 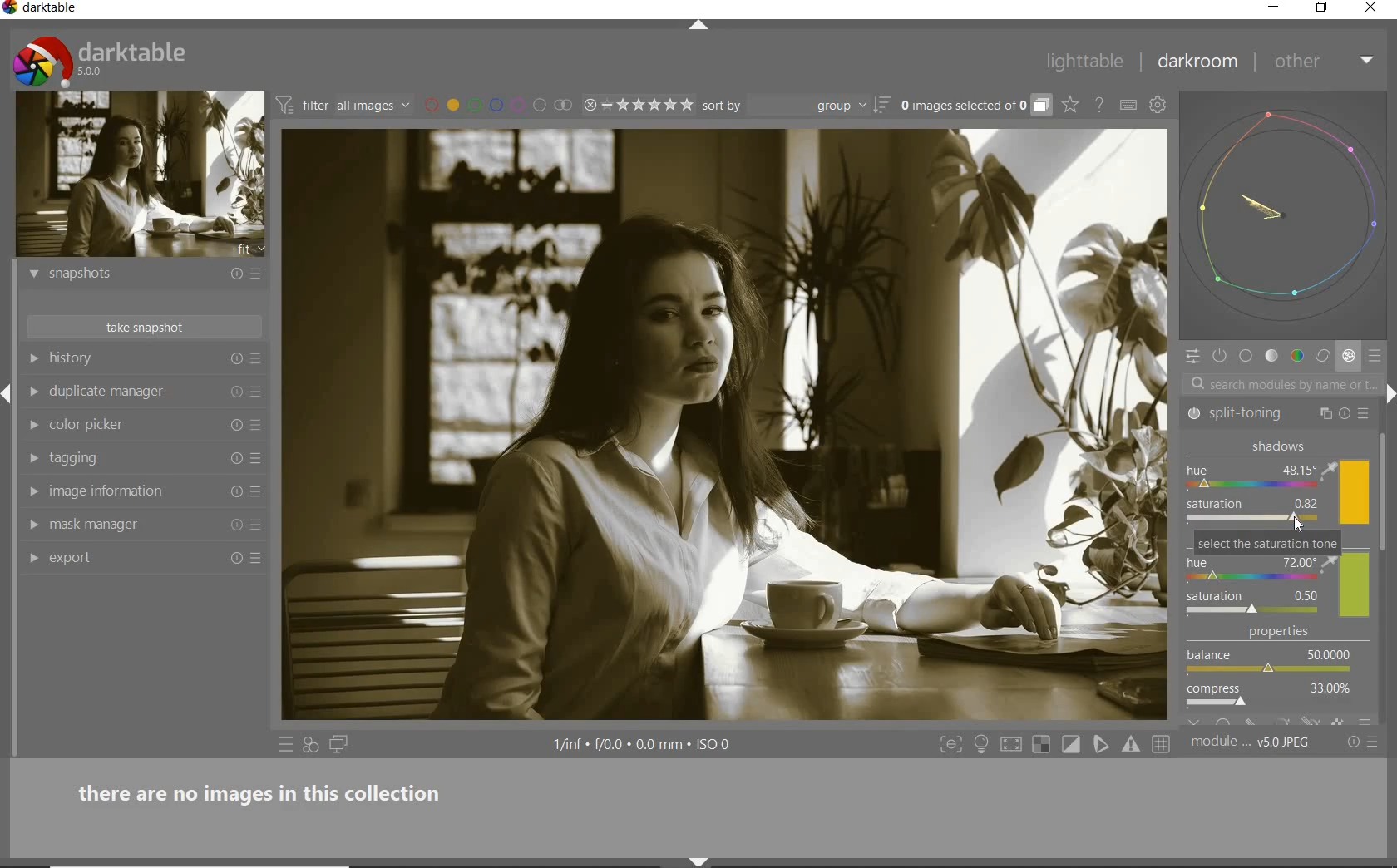 I want to click on scrollbar, so click(x=1386, y=491).